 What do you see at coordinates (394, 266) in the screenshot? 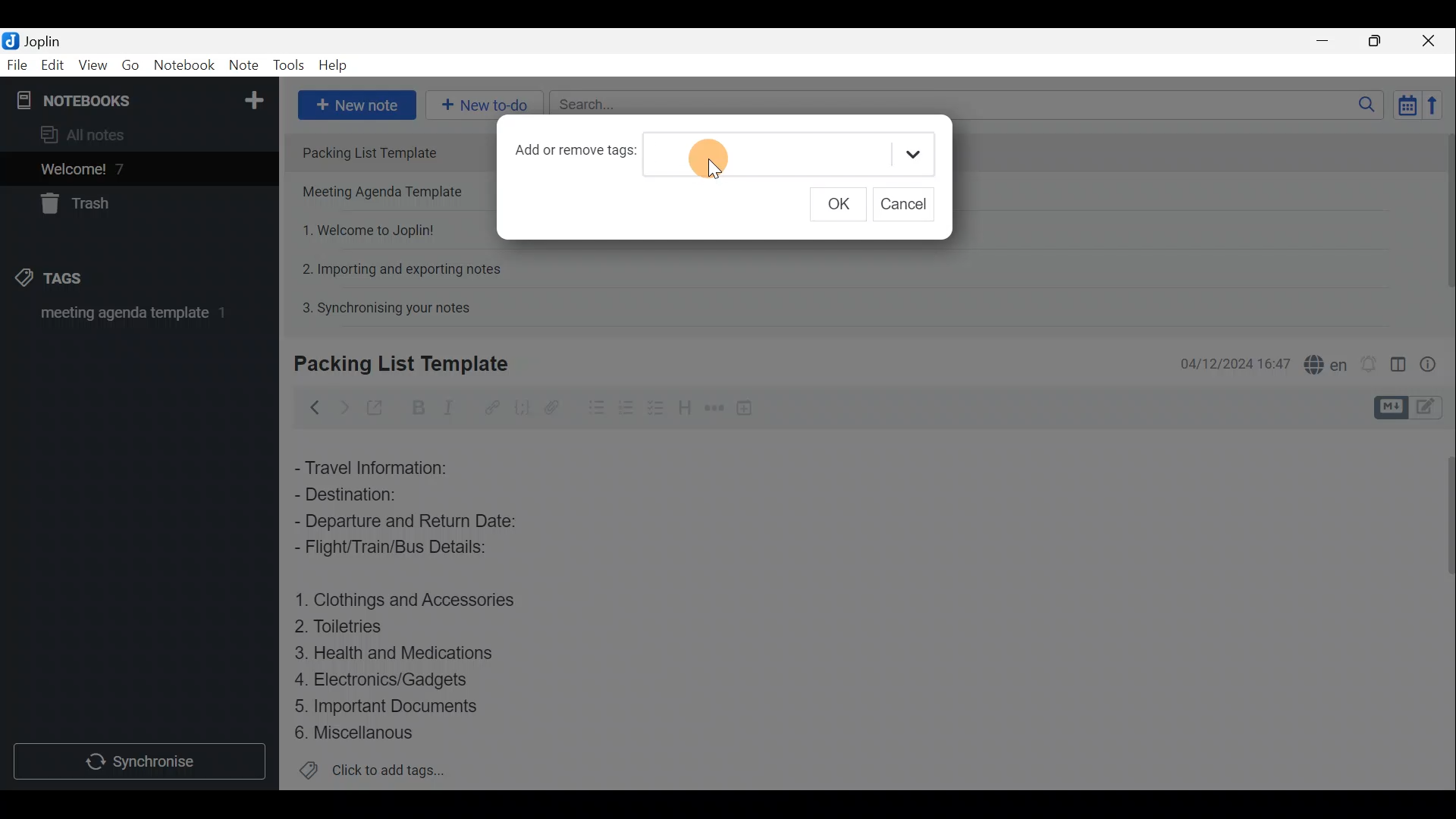
I see `Note 4` at bounding box center [394, 266].